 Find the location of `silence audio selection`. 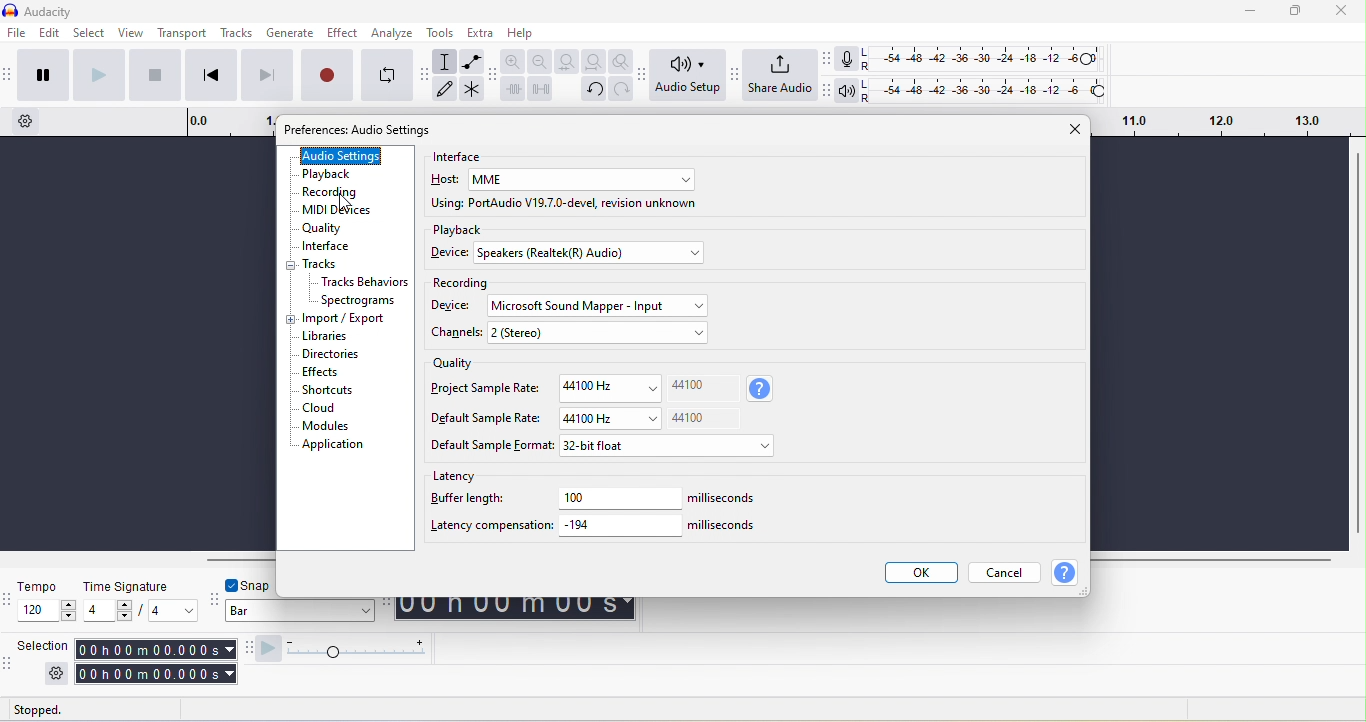

silence audio selection is located at coordinates (539, 90).